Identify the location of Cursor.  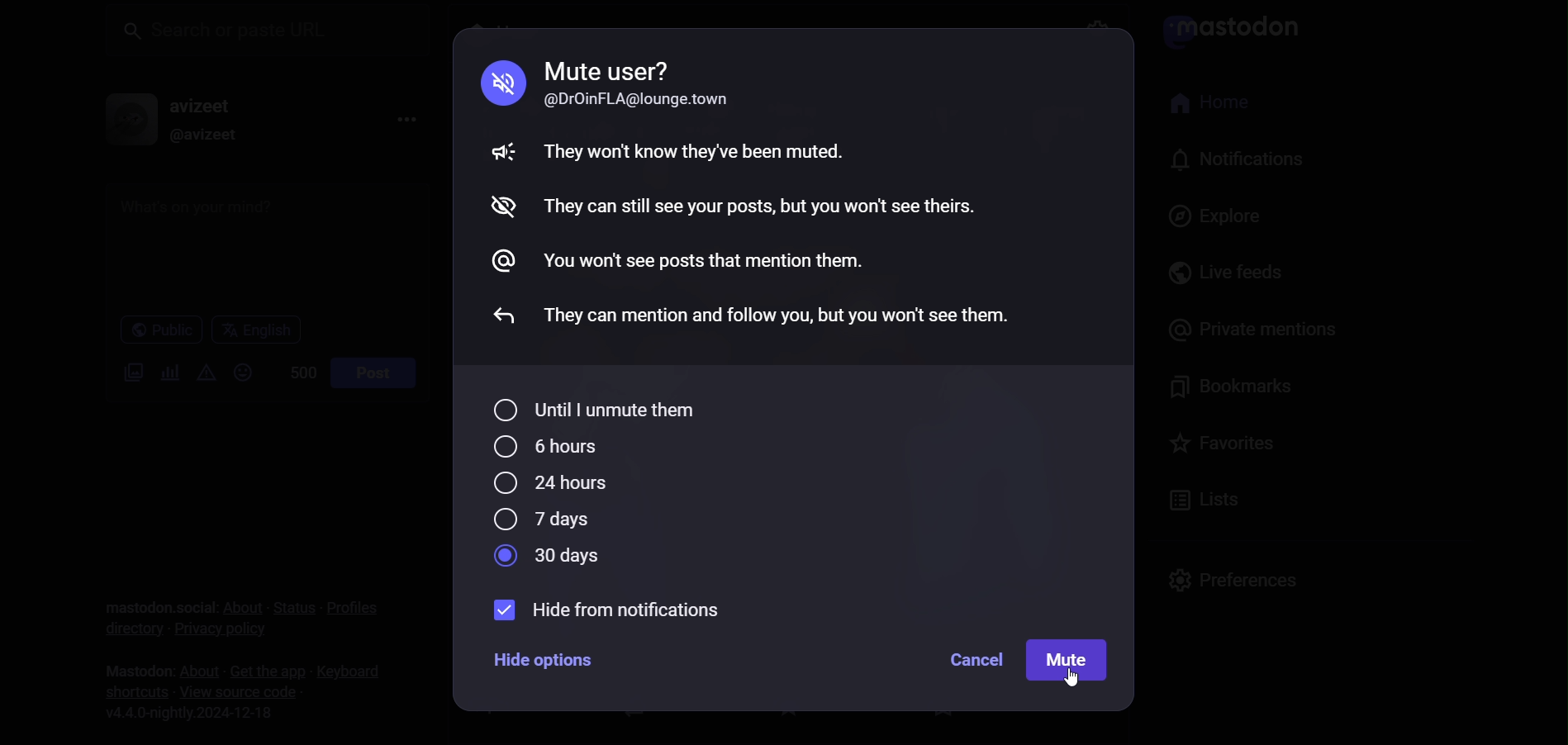
(1073, 678).